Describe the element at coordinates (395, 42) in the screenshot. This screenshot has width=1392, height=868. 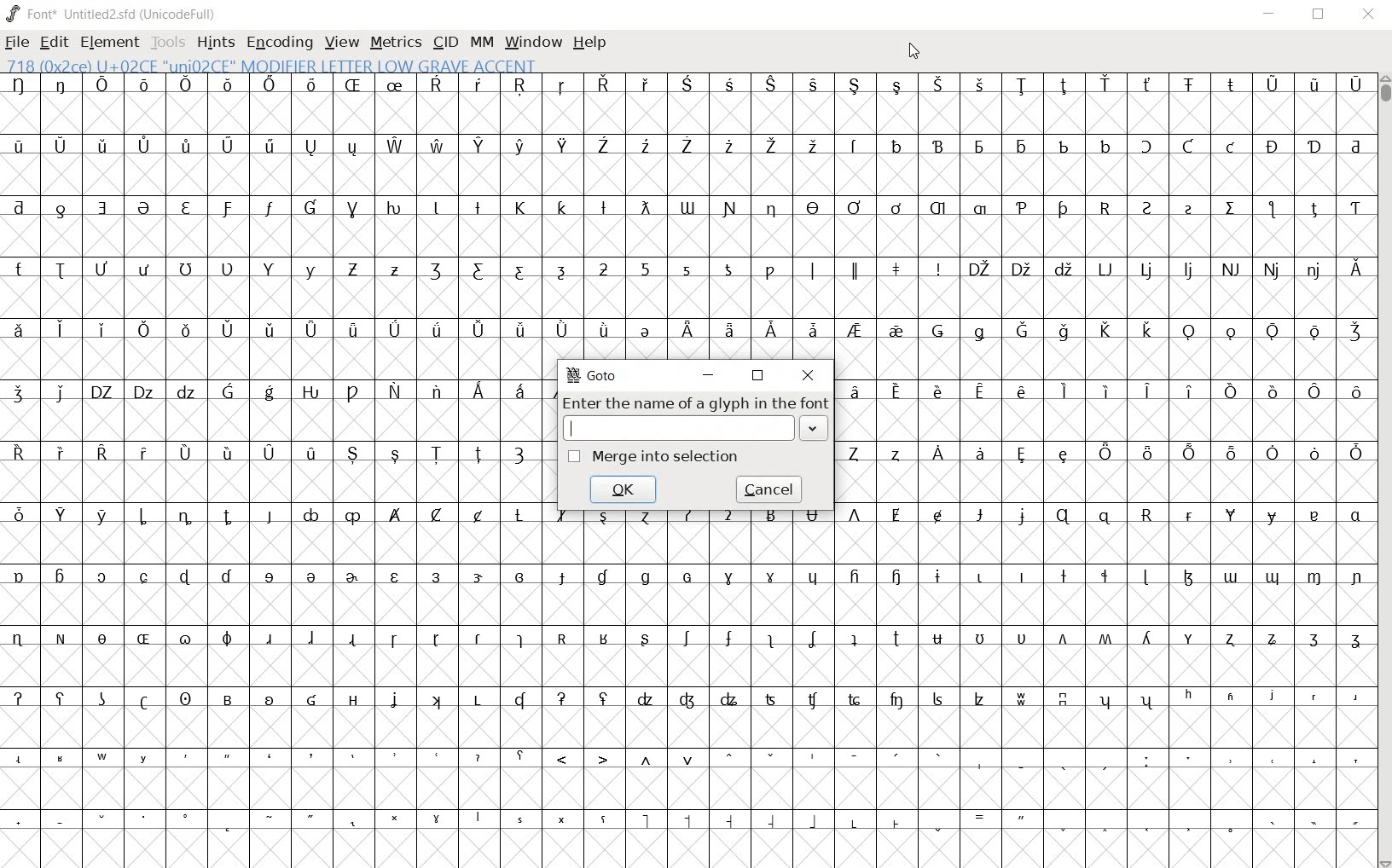
I see `metrics` at that location.